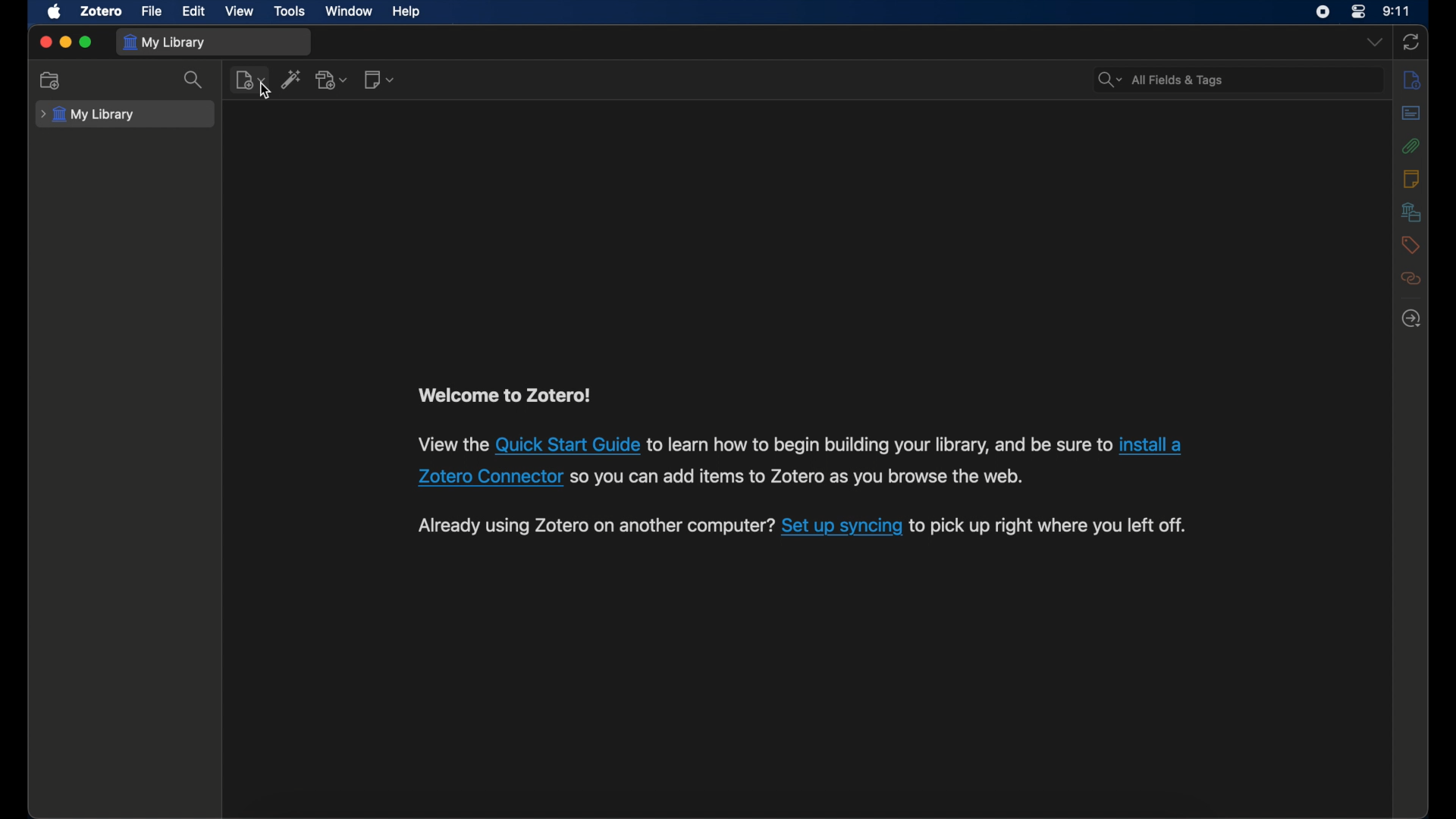  What do you see at coordinates (350, 11) in the screenshot?
I see `window` at bounding box center [350, 11].